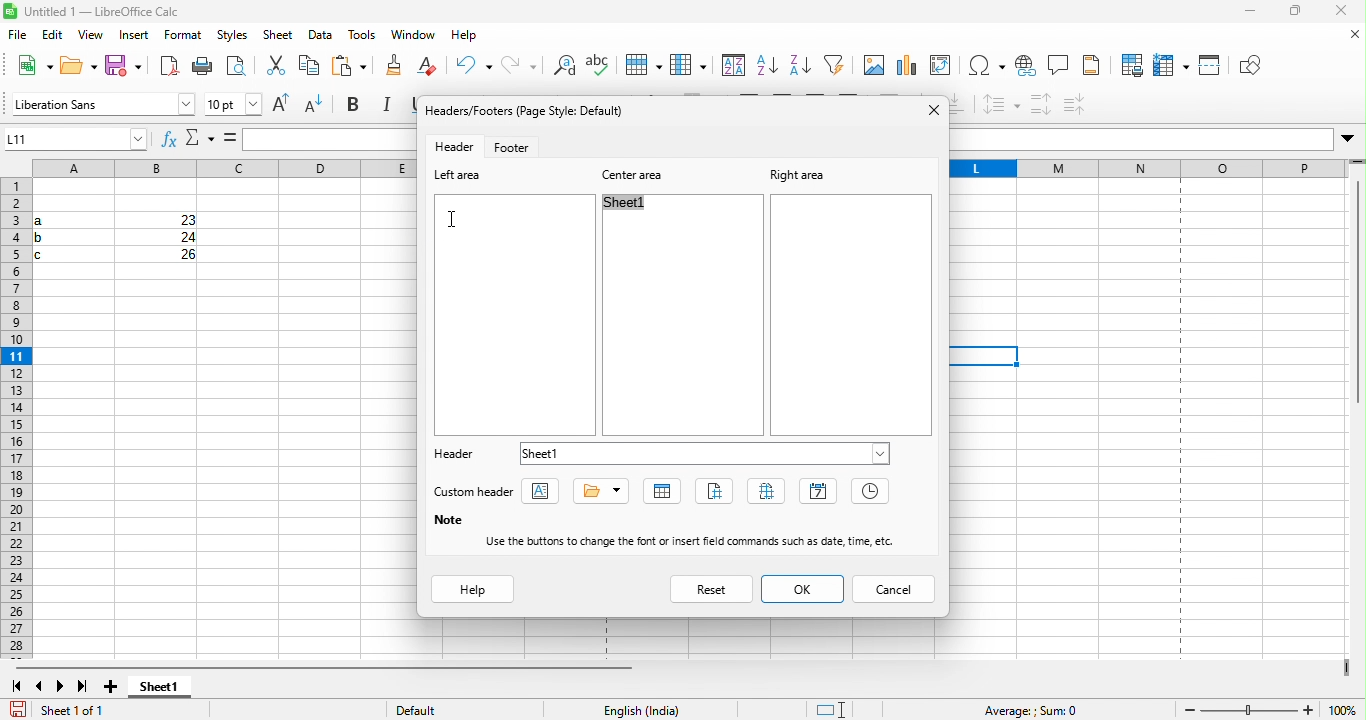 The width and height of the screenshot is (1366, 720). I want to click on decrease paragraph spacing, so click(1075, 102).